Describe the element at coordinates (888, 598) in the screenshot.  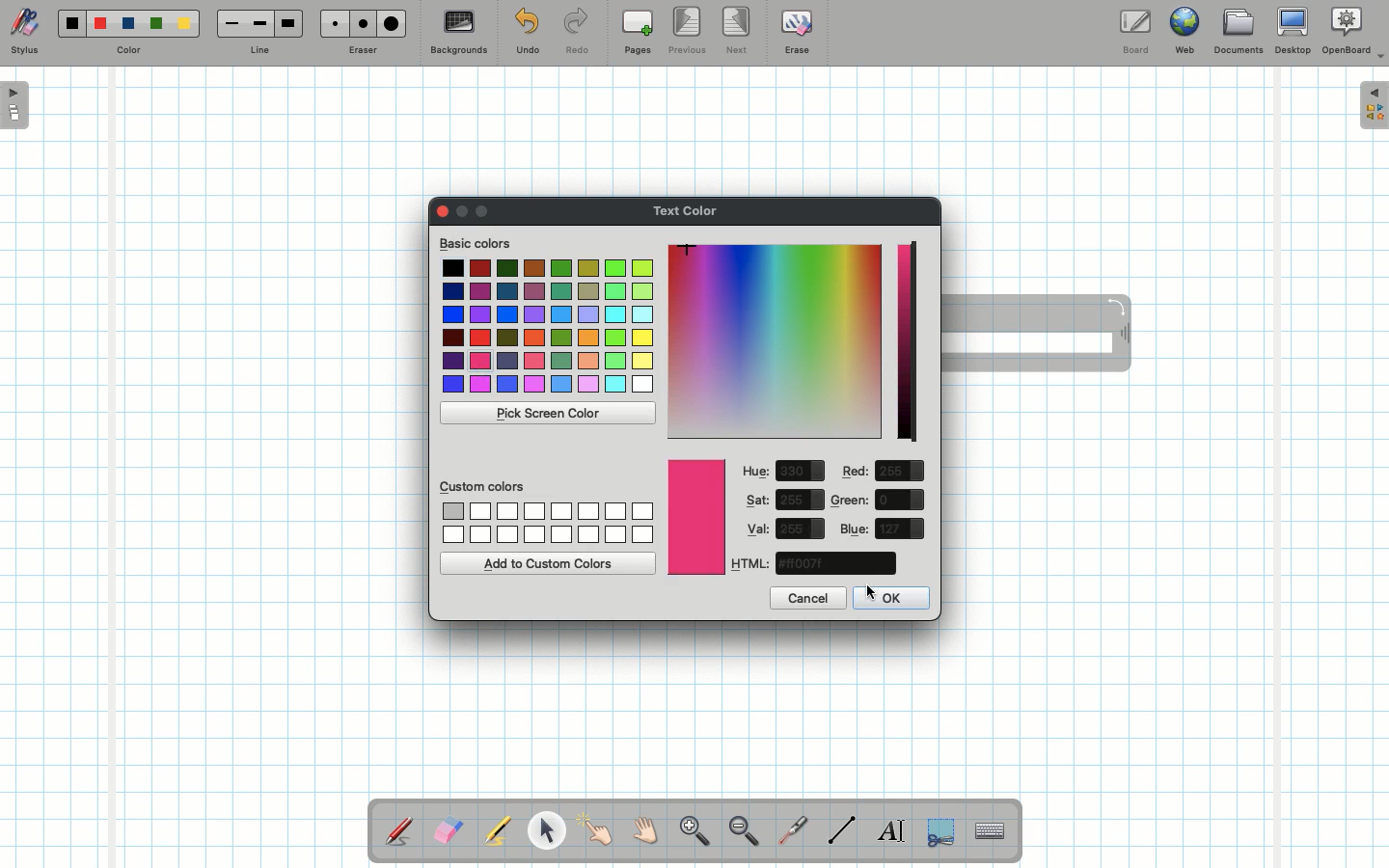
I see `OK` at that location.